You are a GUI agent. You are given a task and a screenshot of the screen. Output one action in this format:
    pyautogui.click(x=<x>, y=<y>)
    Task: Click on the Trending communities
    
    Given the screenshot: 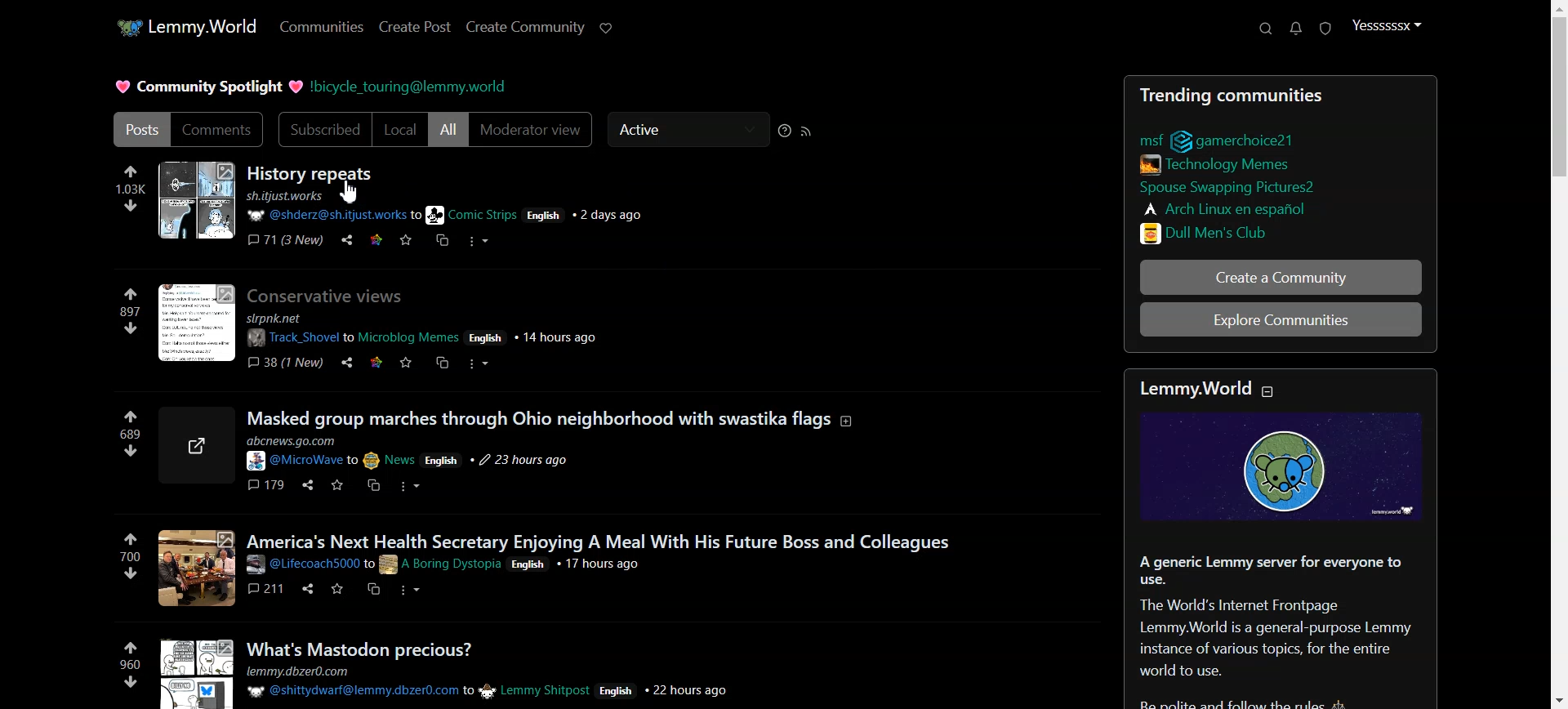 What is the action you would take?
    pyautogui.click(x=1229, y=96)
    